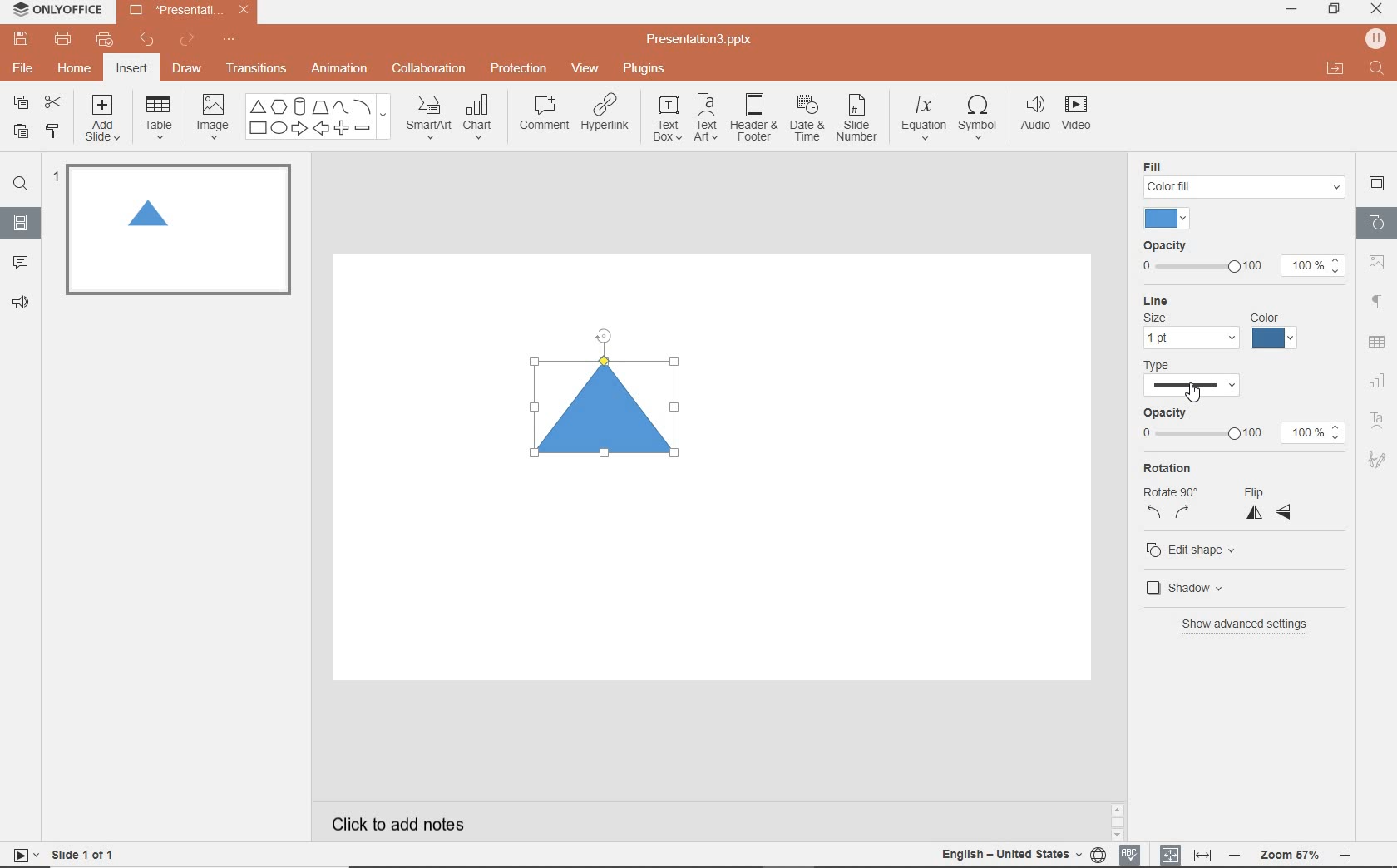 The width and height of the screenshot is (1397, 868). What do you see at coordinates (1346, 825) in the screenshot?
I see `SCROLLBAR` at bounding box center [1346, 825].